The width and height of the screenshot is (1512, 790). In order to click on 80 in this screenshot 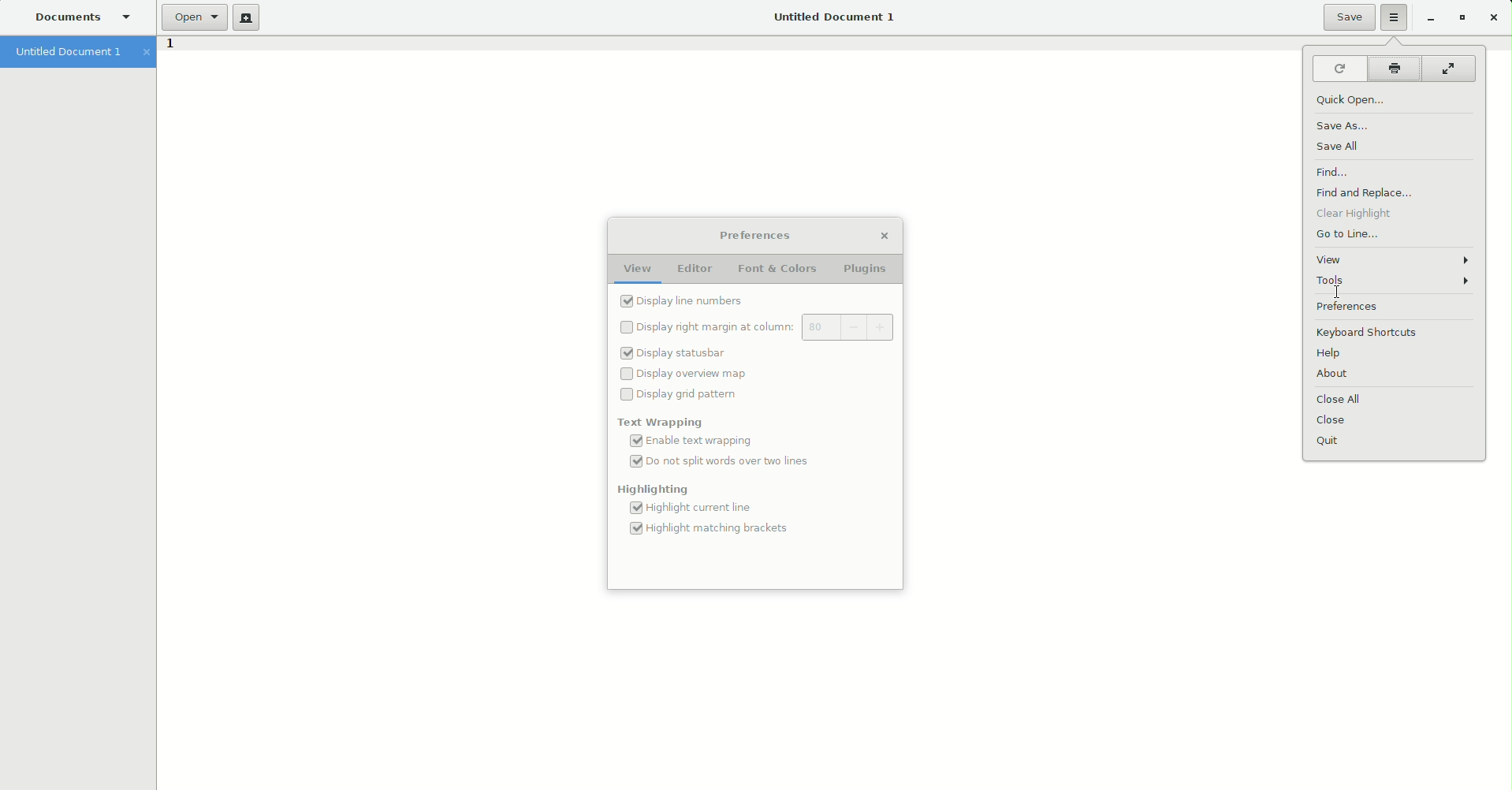, I will do `click(815, 329)`.